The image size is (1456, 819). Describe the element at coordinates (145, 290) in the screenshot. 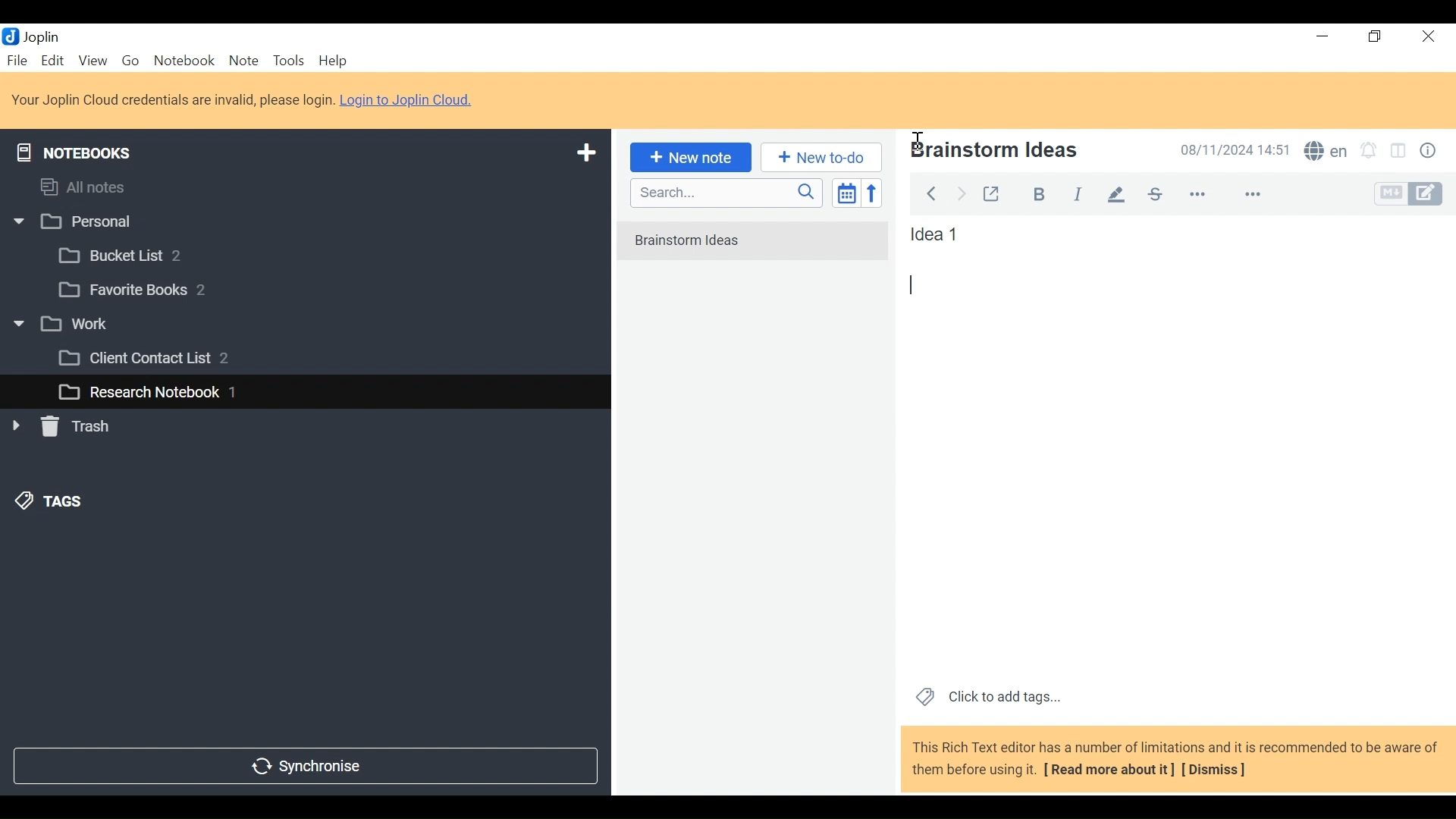

I see `[3 Favorite Books 2` at that location.